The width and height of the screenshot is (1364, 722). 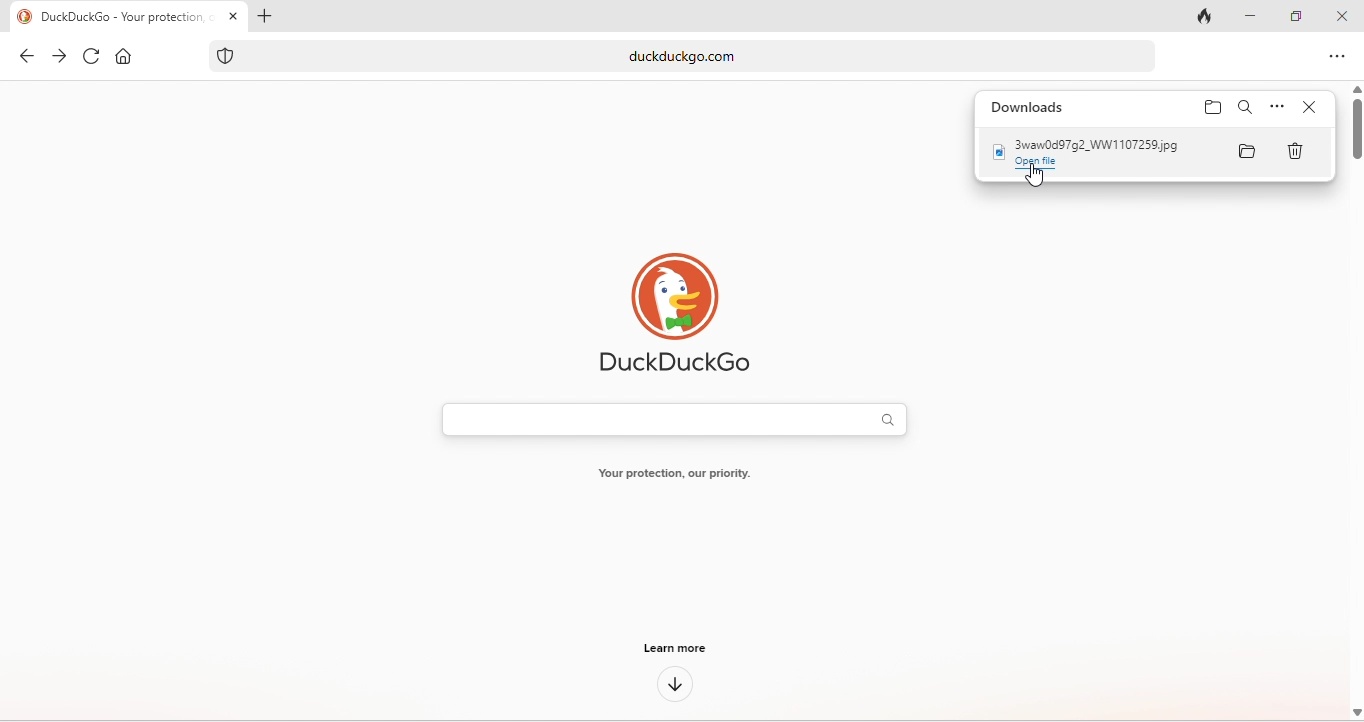 I want to click on open file, so click(x=1049, y=165).